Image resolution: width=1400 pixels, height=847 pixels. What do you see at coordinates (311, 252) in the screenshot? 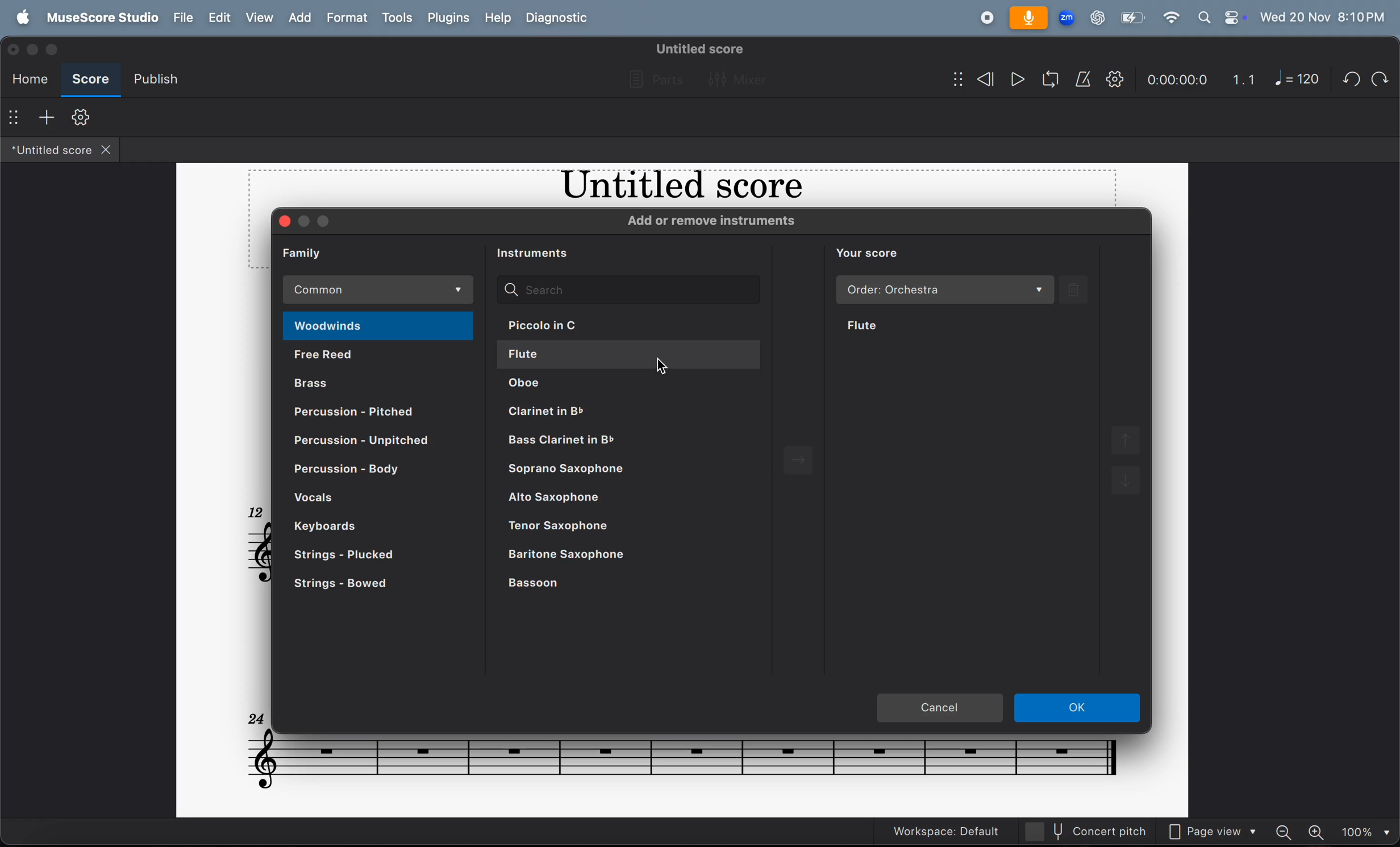
I see `family` at bounding box center [311, 252].